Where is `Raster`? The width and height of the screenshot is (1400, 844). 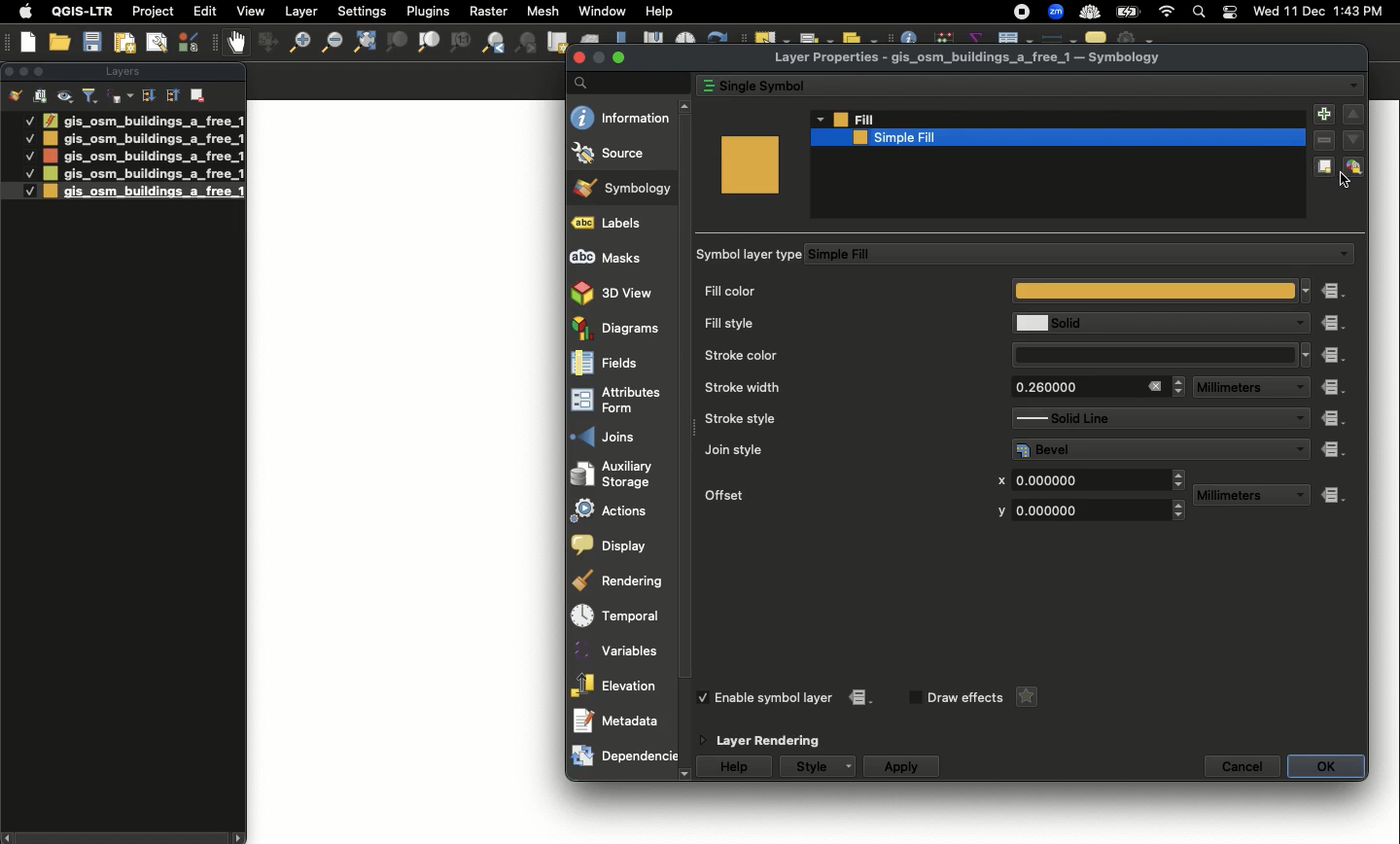 Raster is located at coordinates (486, 12).